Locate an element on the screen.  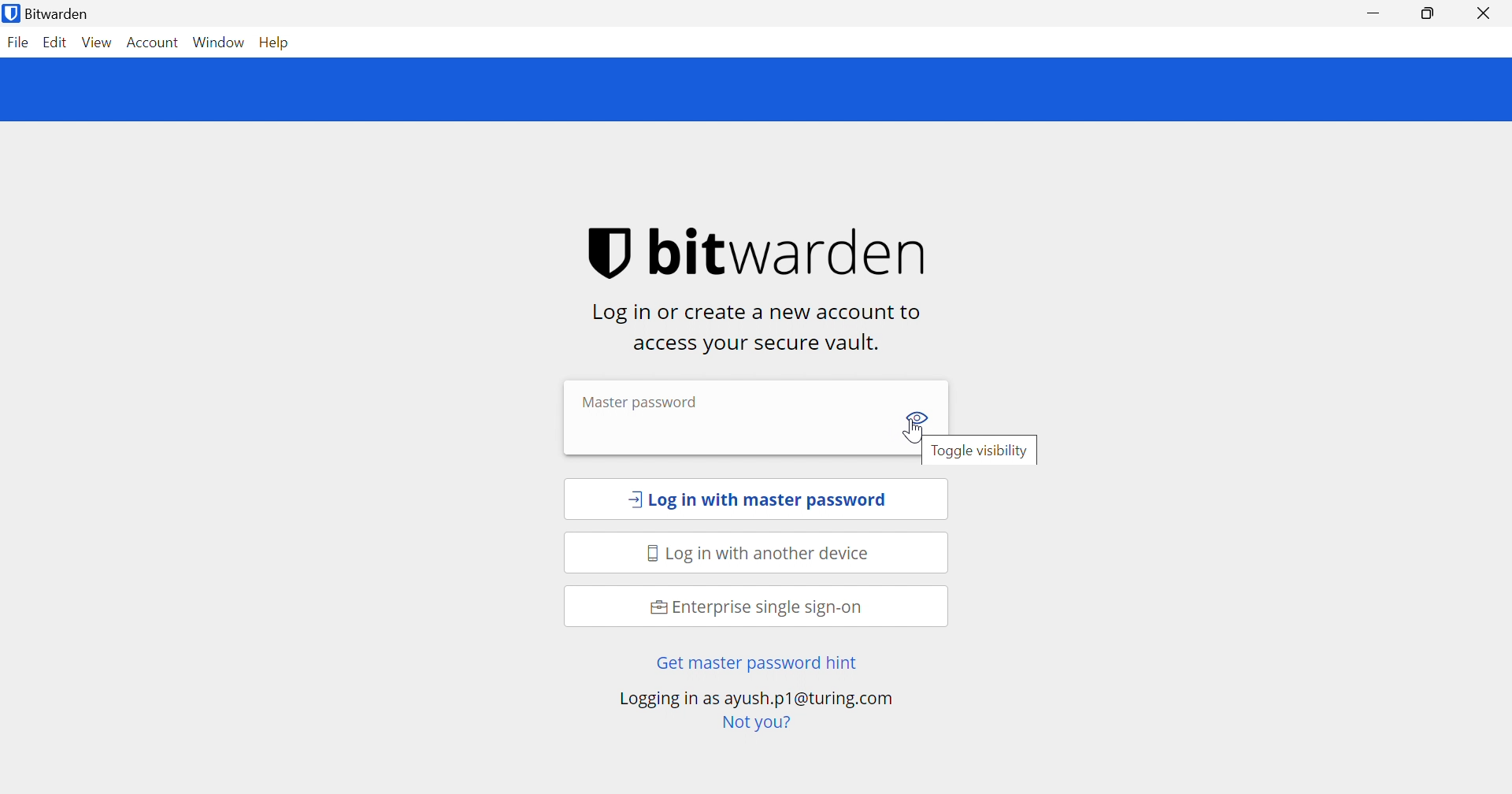
Enterprise single sign-on is located at coordinates (757, 608).